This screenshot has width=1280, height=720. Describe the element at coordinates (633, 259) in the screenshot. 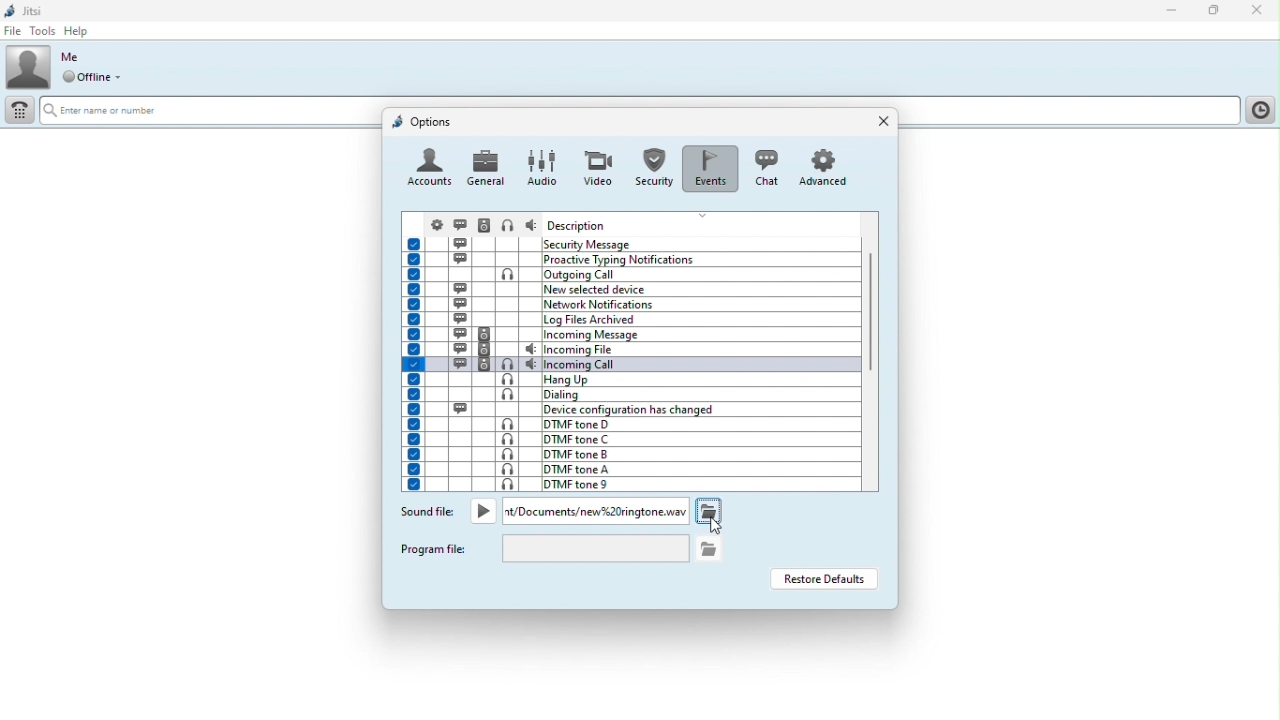

I see `proactive typing notifications` at that location.